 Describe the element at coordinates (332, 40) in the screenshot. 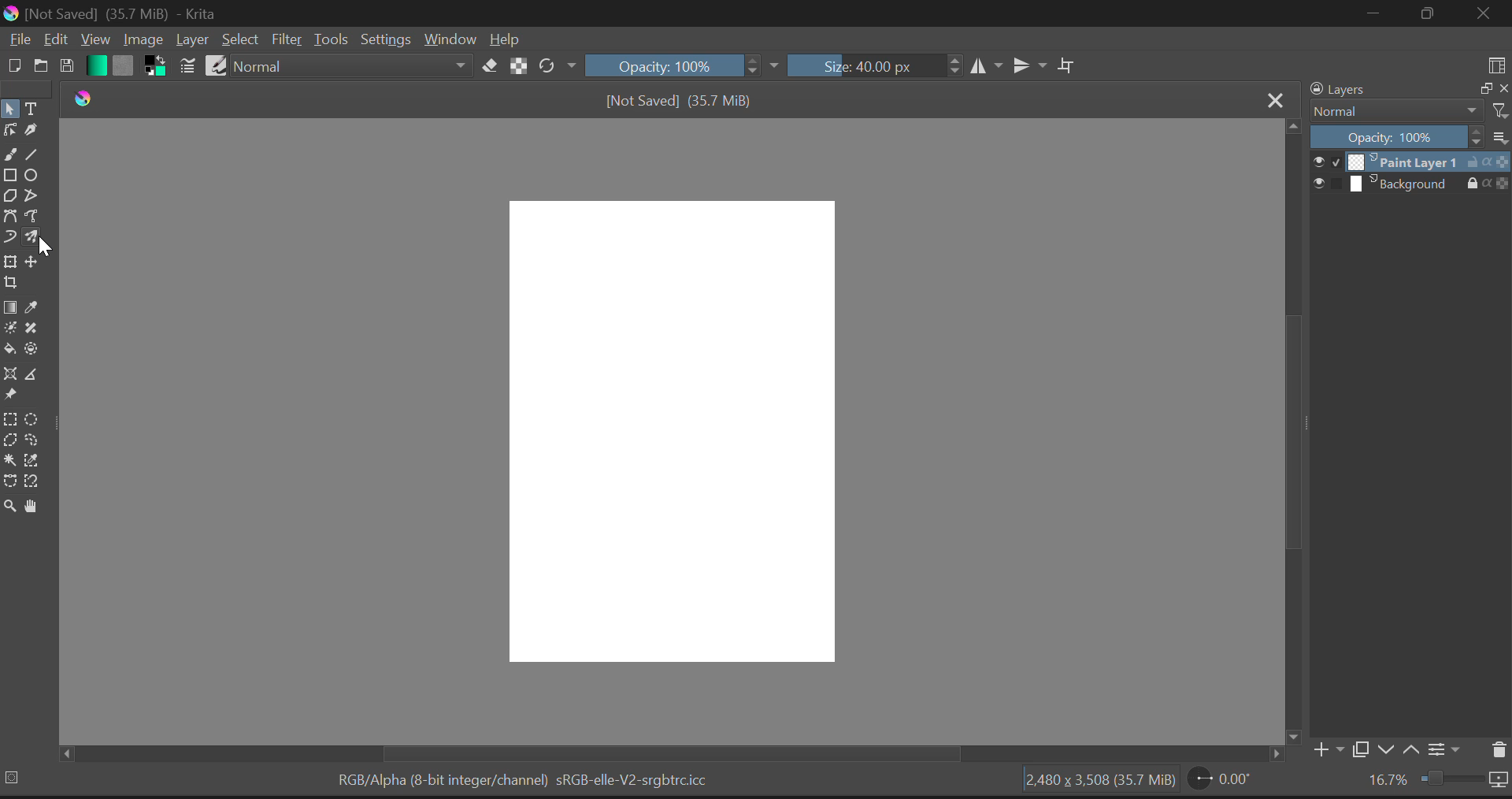

I see `Tools` at that location.